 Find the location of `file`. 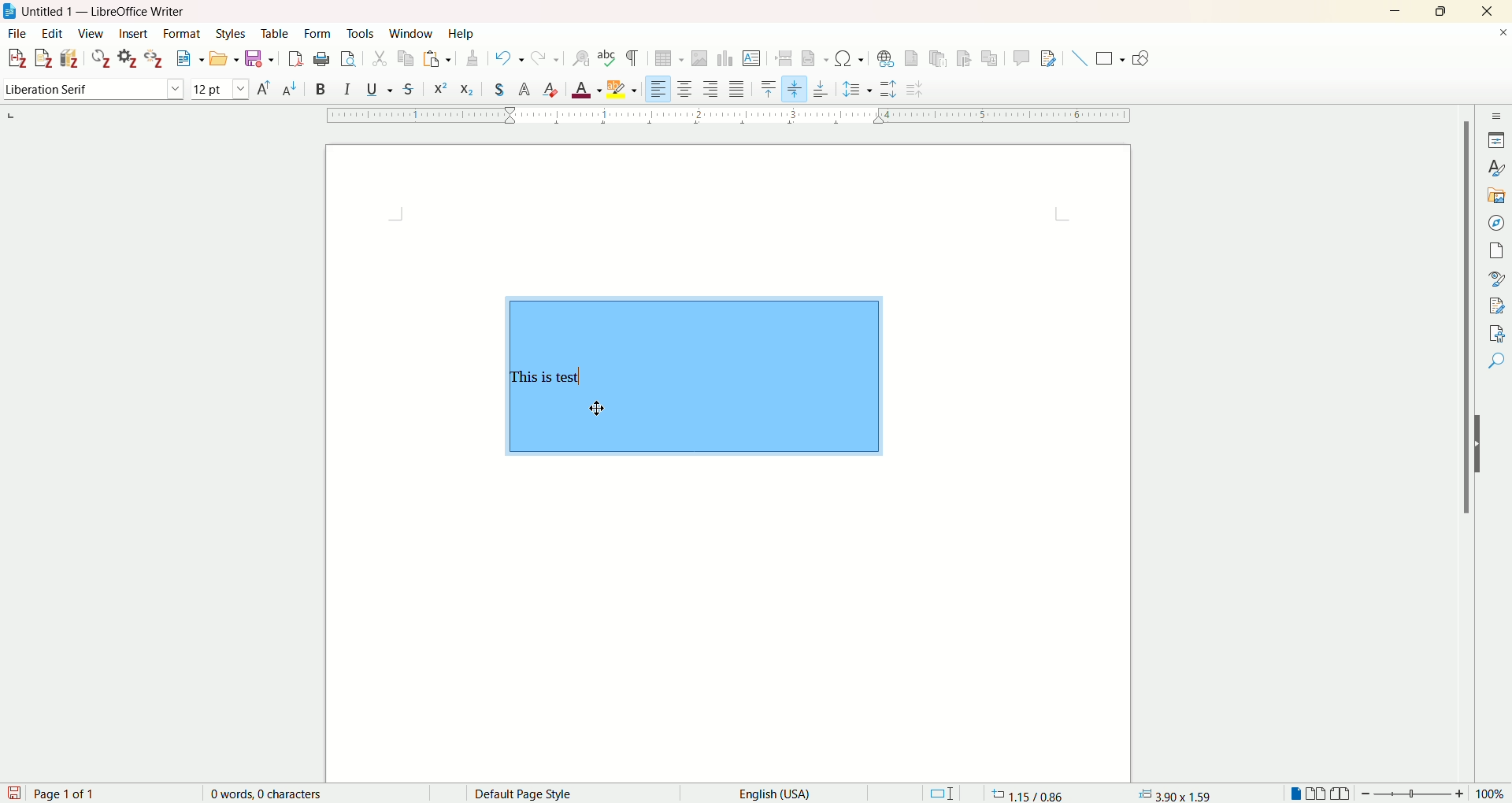

file is located at coordinates (16, 32).